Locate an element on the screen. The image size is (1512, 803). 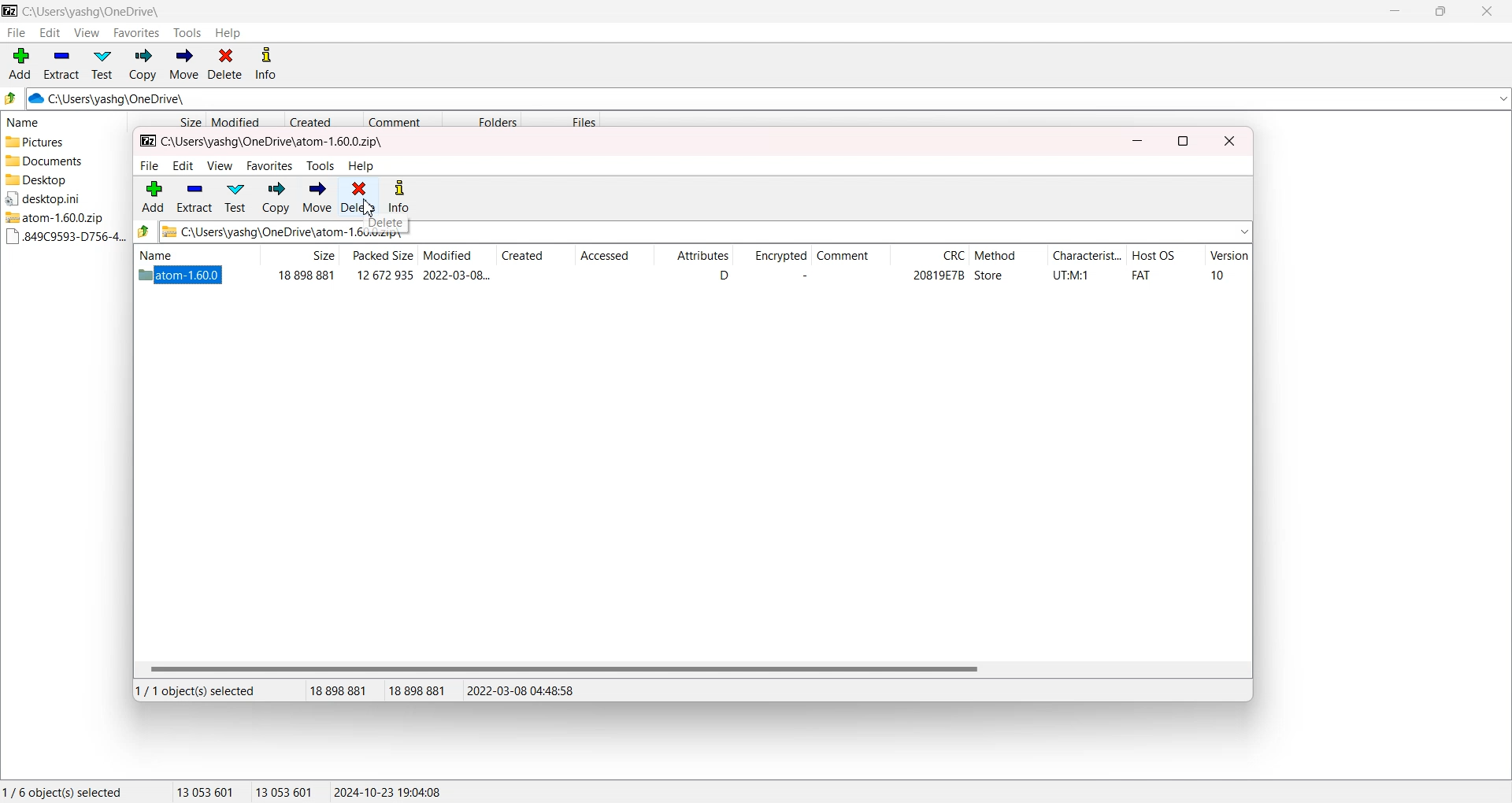
13 053 601 is located at coordinates (285, 791).